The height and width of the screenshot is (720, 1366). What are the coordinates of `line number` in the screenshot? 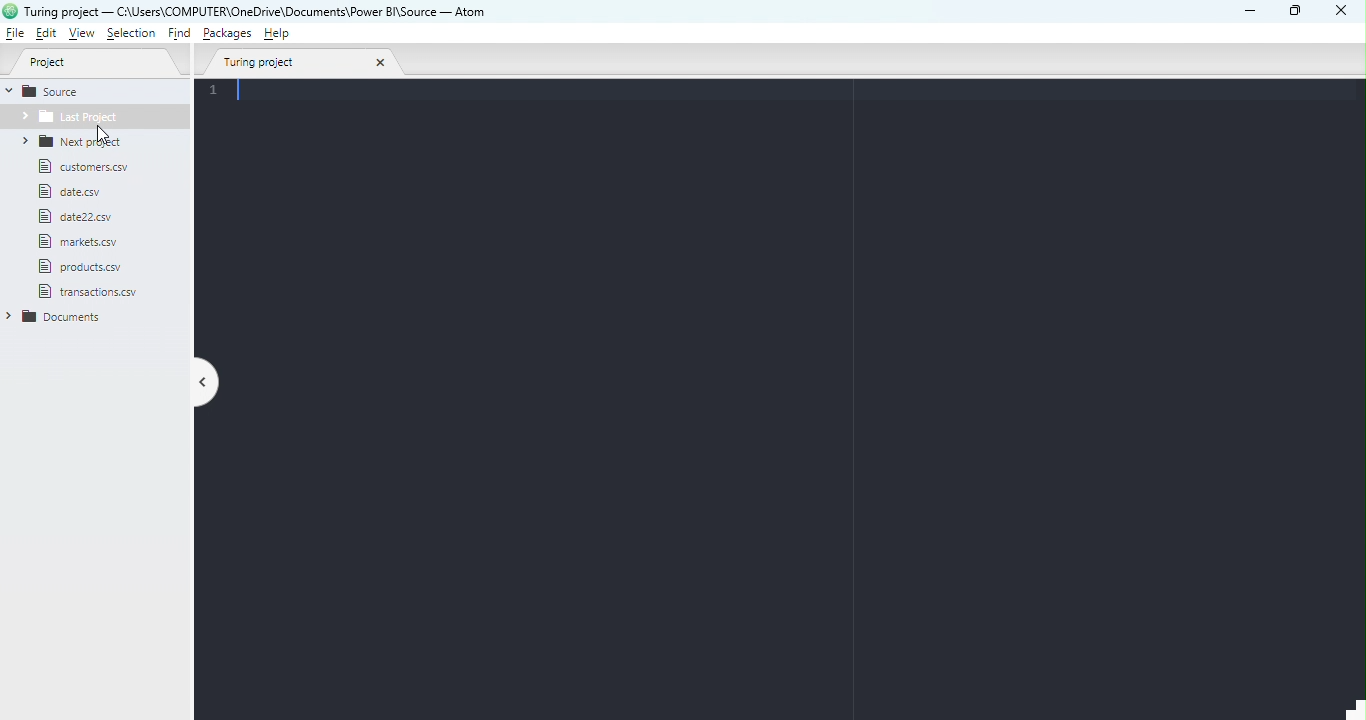 It's located at (218, 92).